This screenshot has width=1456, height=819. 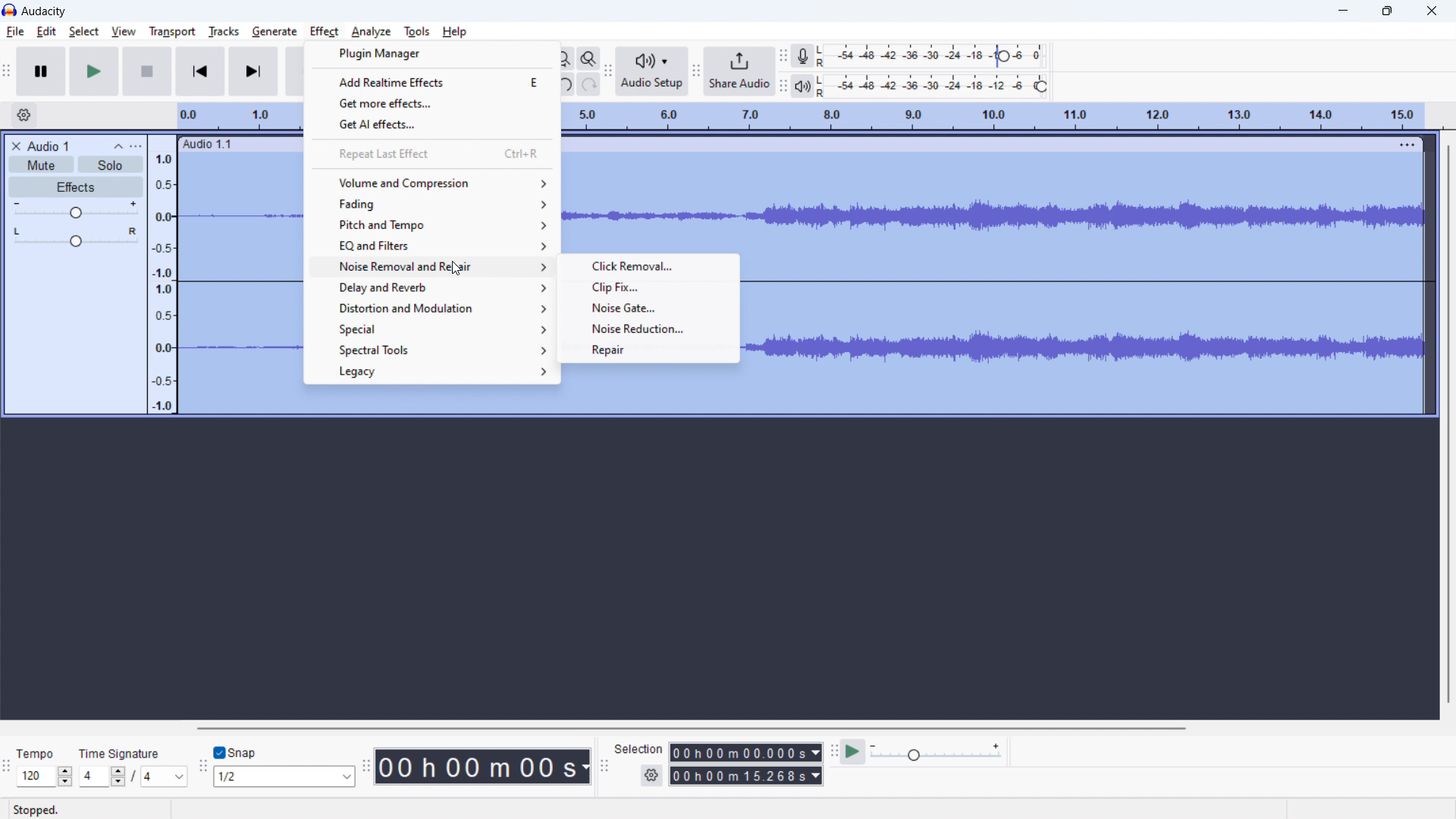 What do you see at coordinates (77, 237) in the screenshot?
I see `pan: center` at bounding box center [77, 237].